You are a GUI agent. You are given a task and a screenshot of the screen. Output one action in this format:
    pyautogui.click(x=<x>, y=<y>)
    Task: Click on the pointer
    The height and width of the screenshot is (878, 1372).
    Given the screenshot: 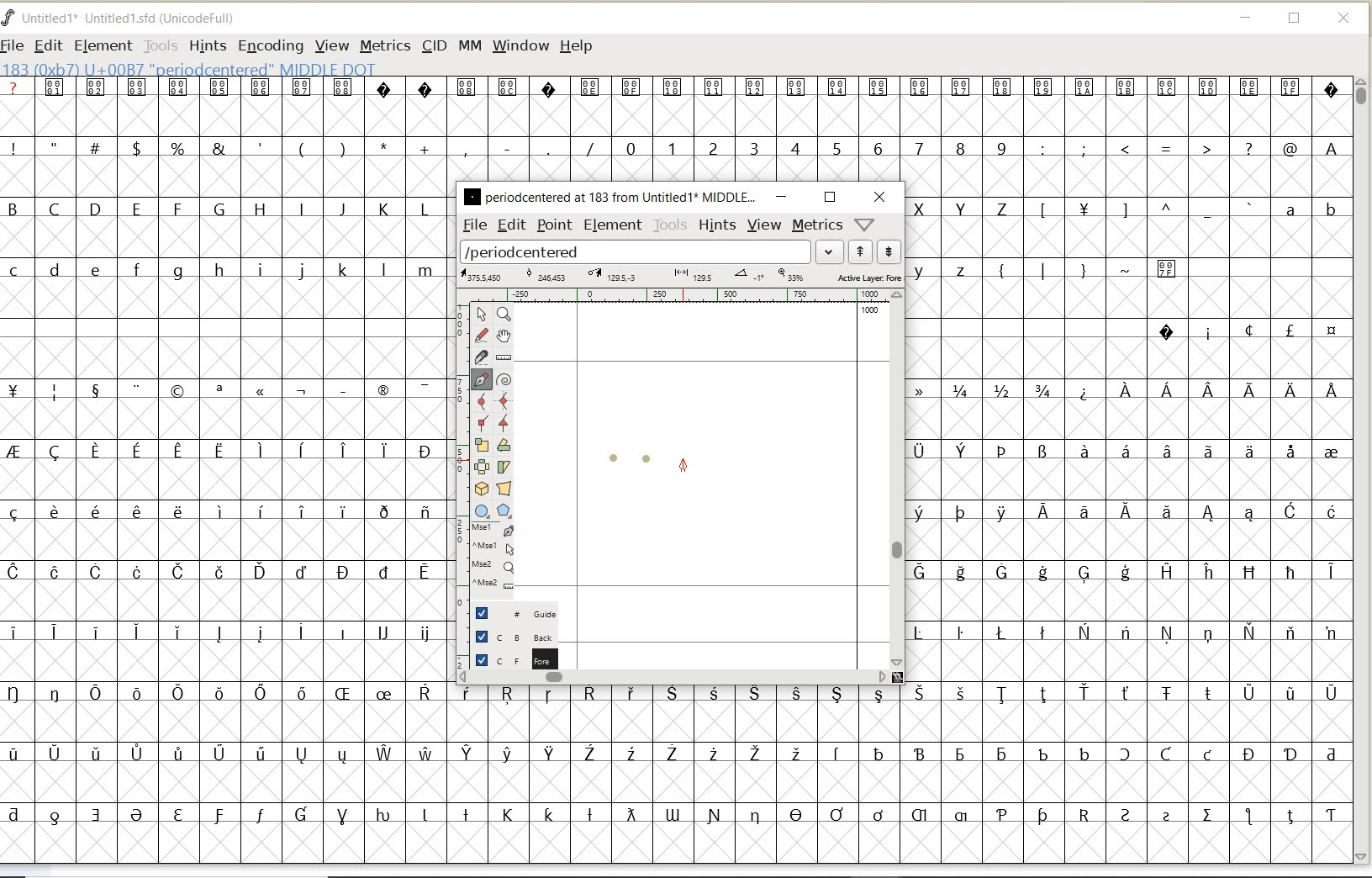 What is the action you would take?
    pyautogui.click(x=481, y=315)
    